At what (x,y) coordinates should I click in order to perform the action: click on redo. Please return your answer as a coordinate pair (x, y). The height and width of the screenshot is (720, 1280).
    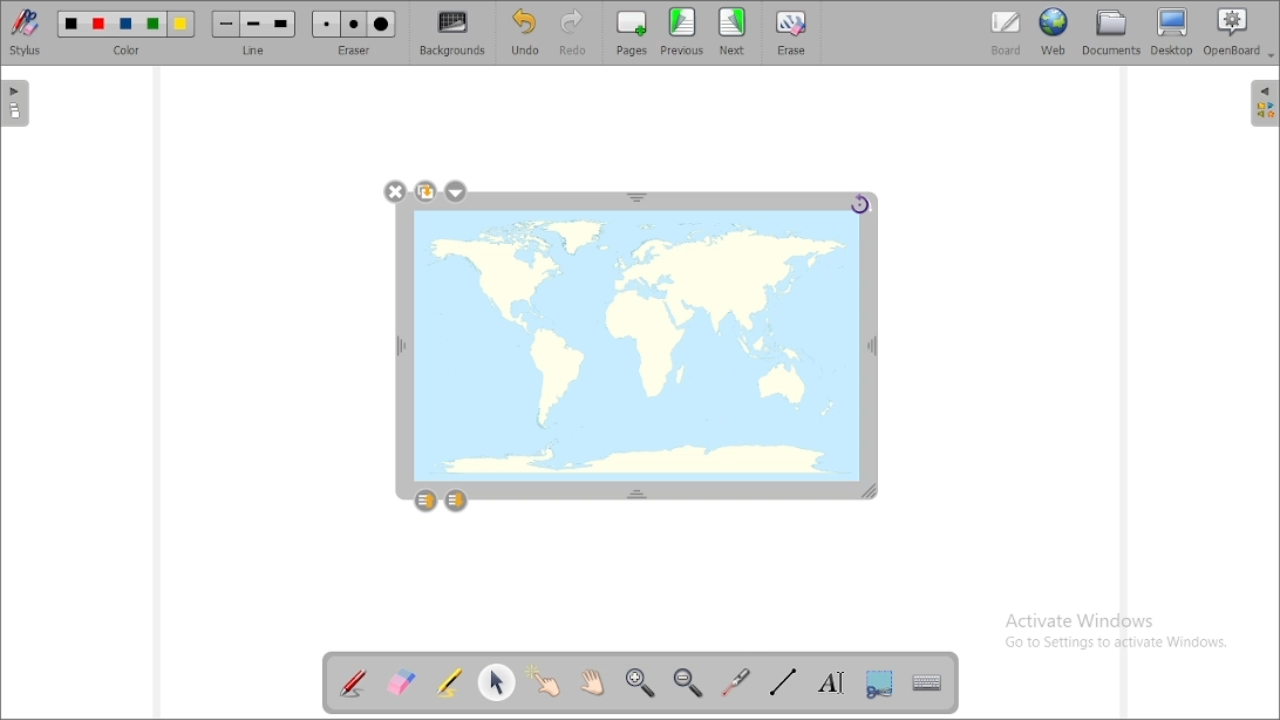
    Looking at the image, I should click on (574, 33).